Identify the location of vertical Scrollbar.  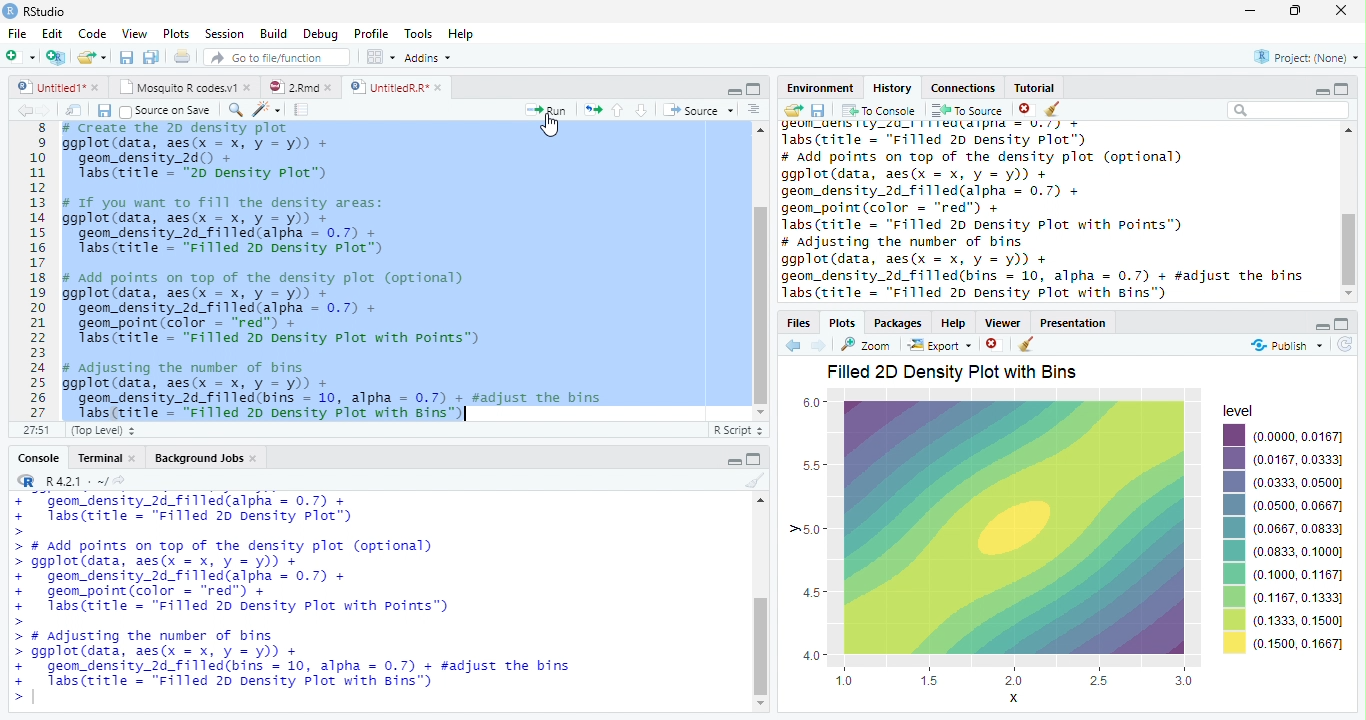
(761, 305).